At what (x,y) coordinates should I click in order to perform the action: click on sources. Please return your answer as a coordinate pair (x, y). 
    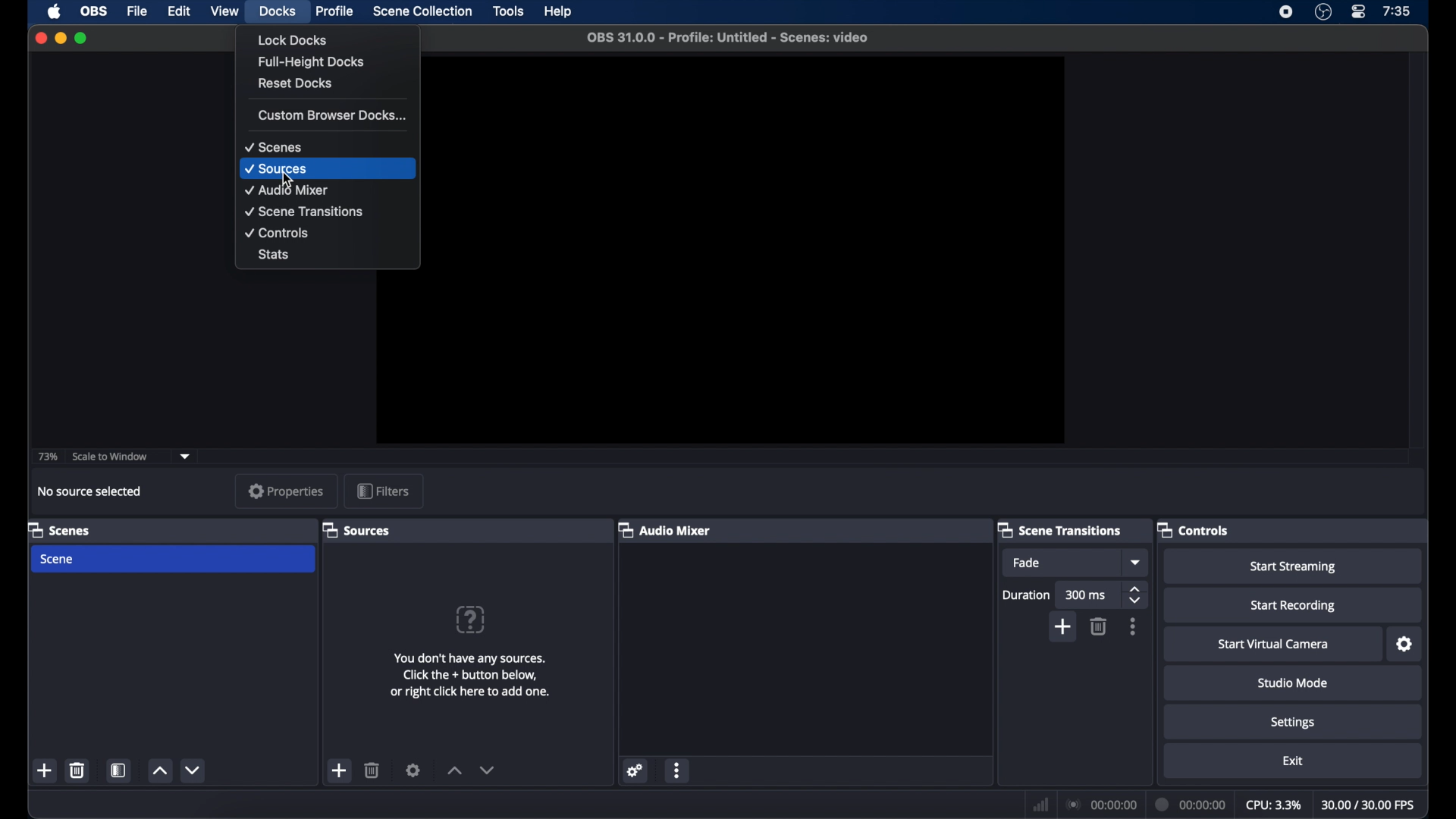
    Looking at the image, I should click on (275, 168).